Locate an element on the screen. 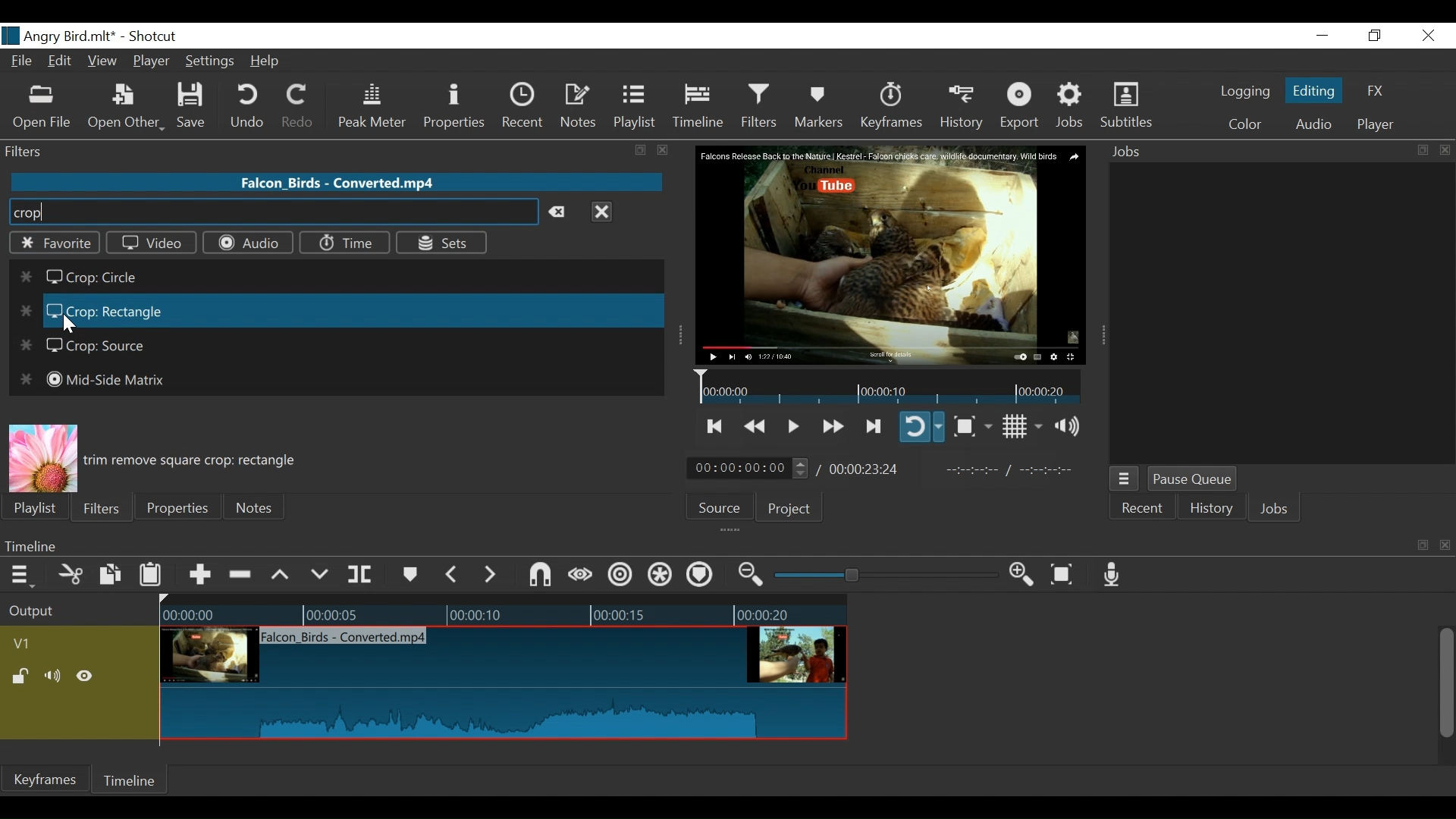 The height and width of the screenshot is (819, 1456). Ripple all tracks is located at coordinates (661, 576).